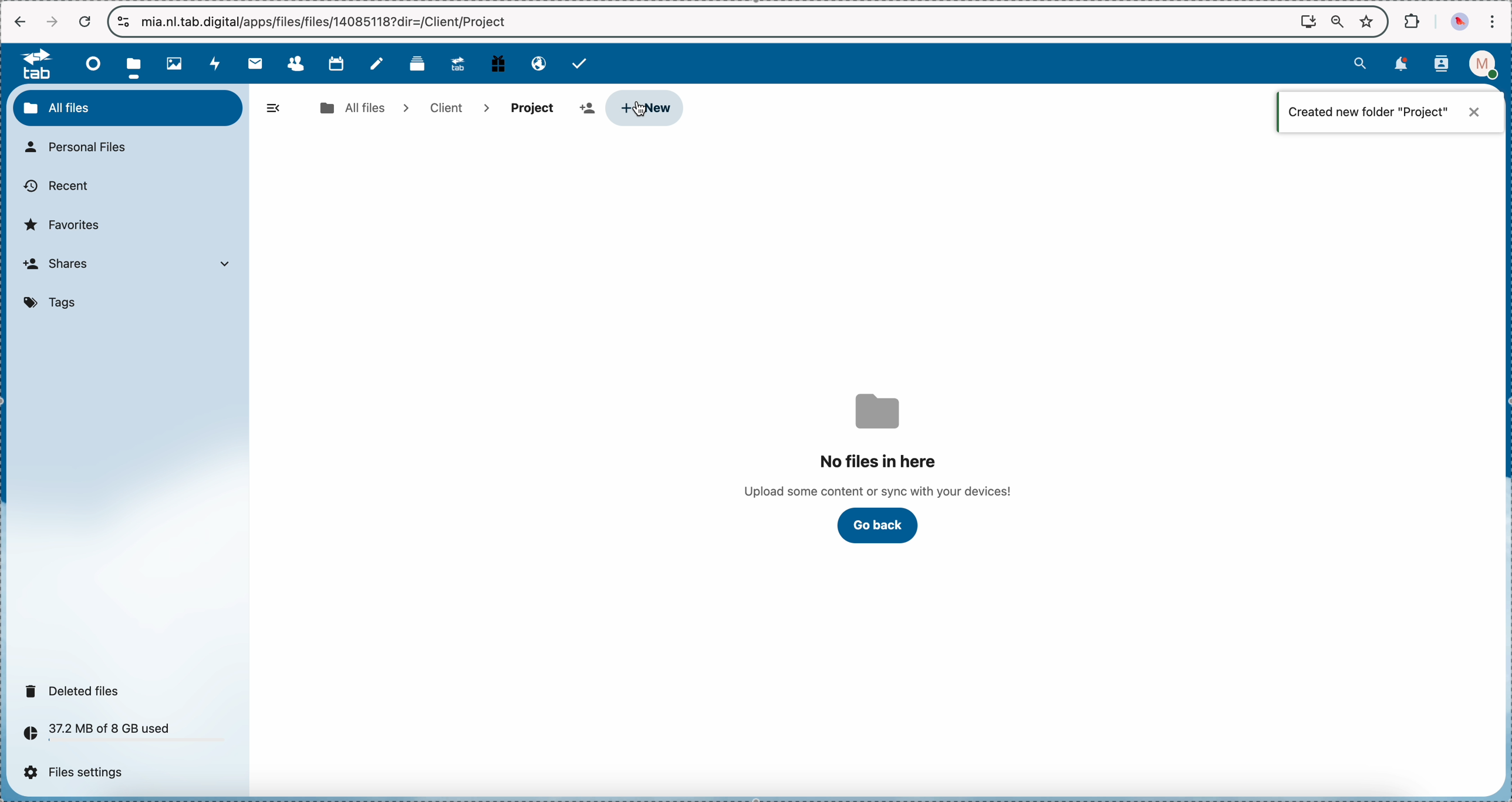 This screenshot has height=802, width=1512. Describe the element at coordinates (420, 62) in the screenshot. I see `deck` at that location.